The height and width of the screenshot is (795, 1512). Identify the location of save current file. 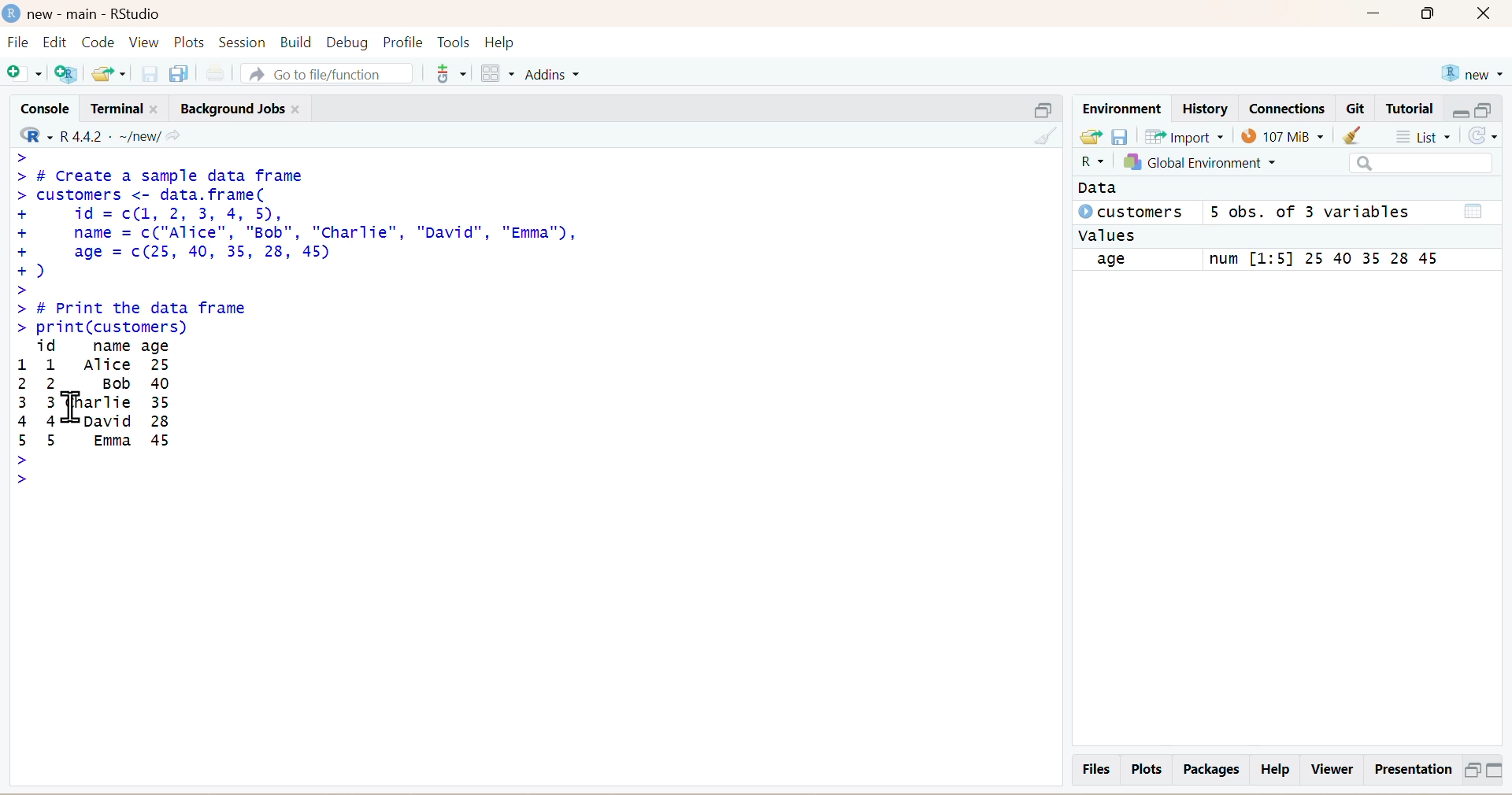
(150, 72).